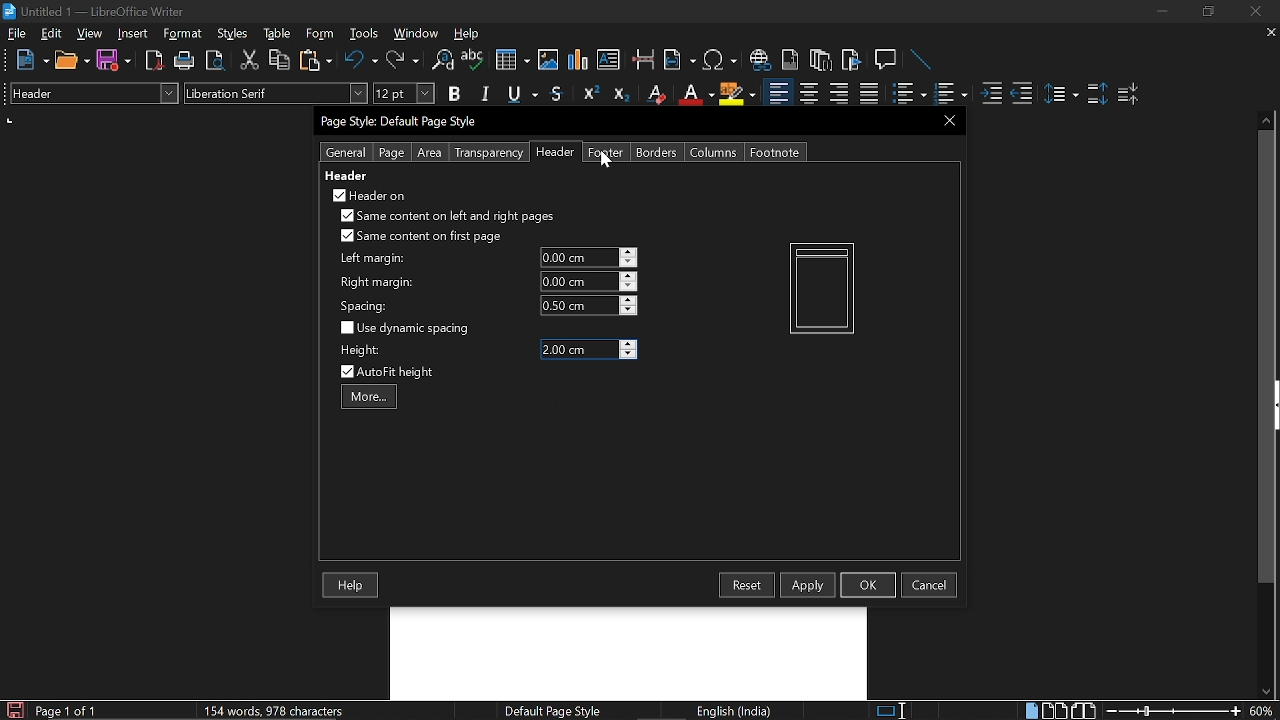  What do you see at coordinates (370, 259) in the screenshot?
I see `left margin` at bounding box center [370, 259].